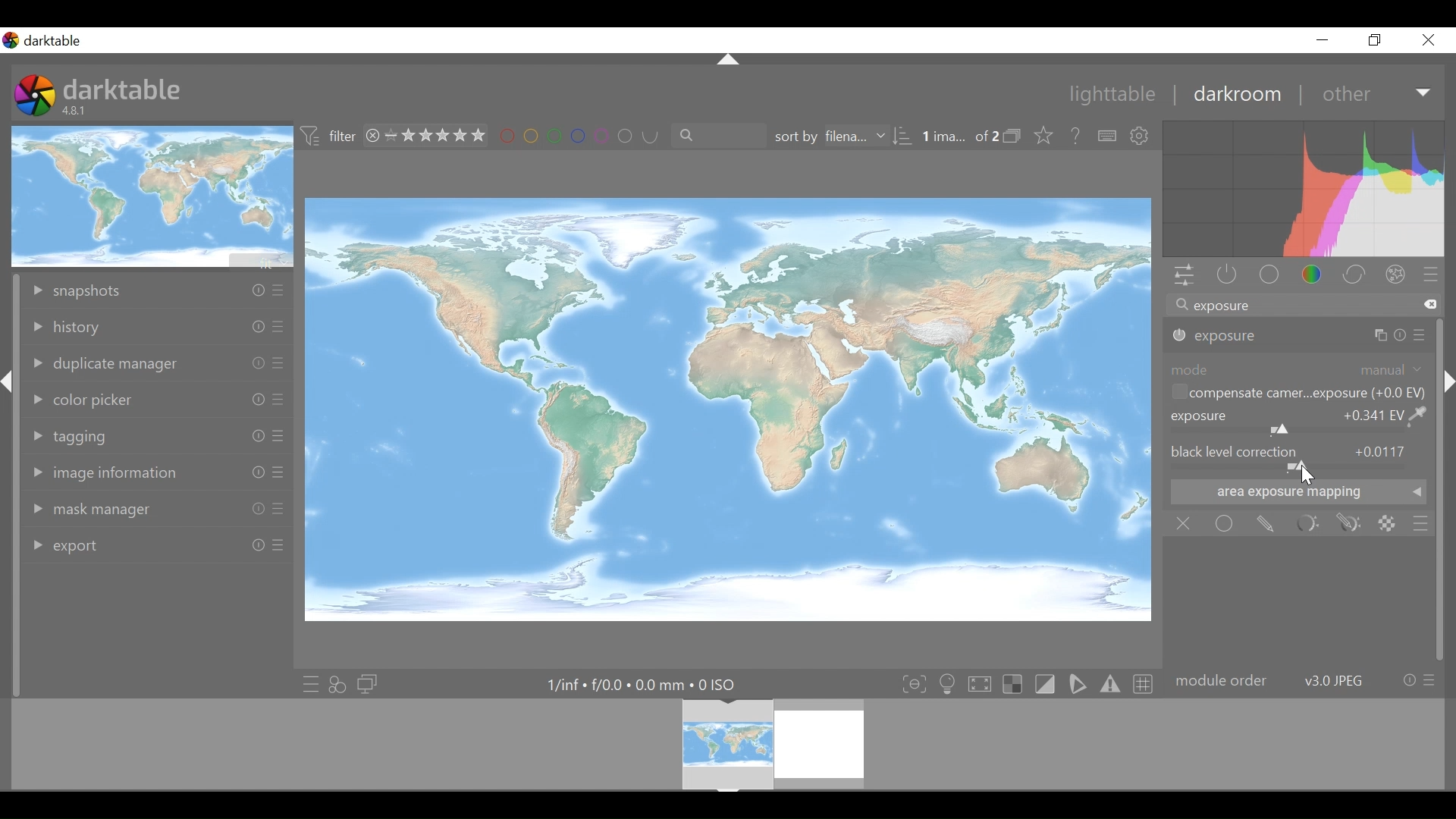  Describe the element at coordinates (1299, 336) in the screenshot. I see `exposure panel` at that location.